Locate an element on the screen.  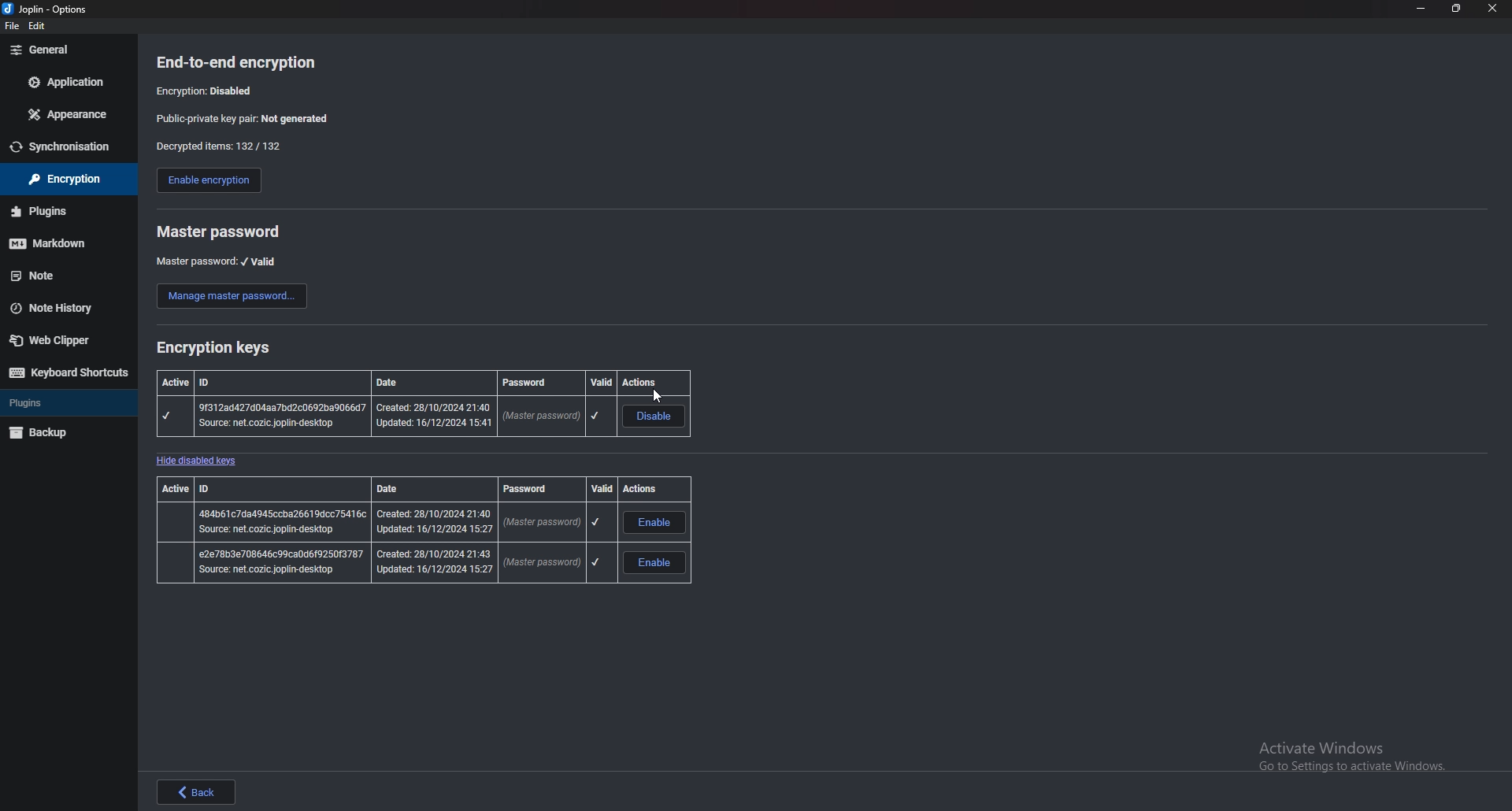
keyboard shortcuts is located at coordinates (69, 373).